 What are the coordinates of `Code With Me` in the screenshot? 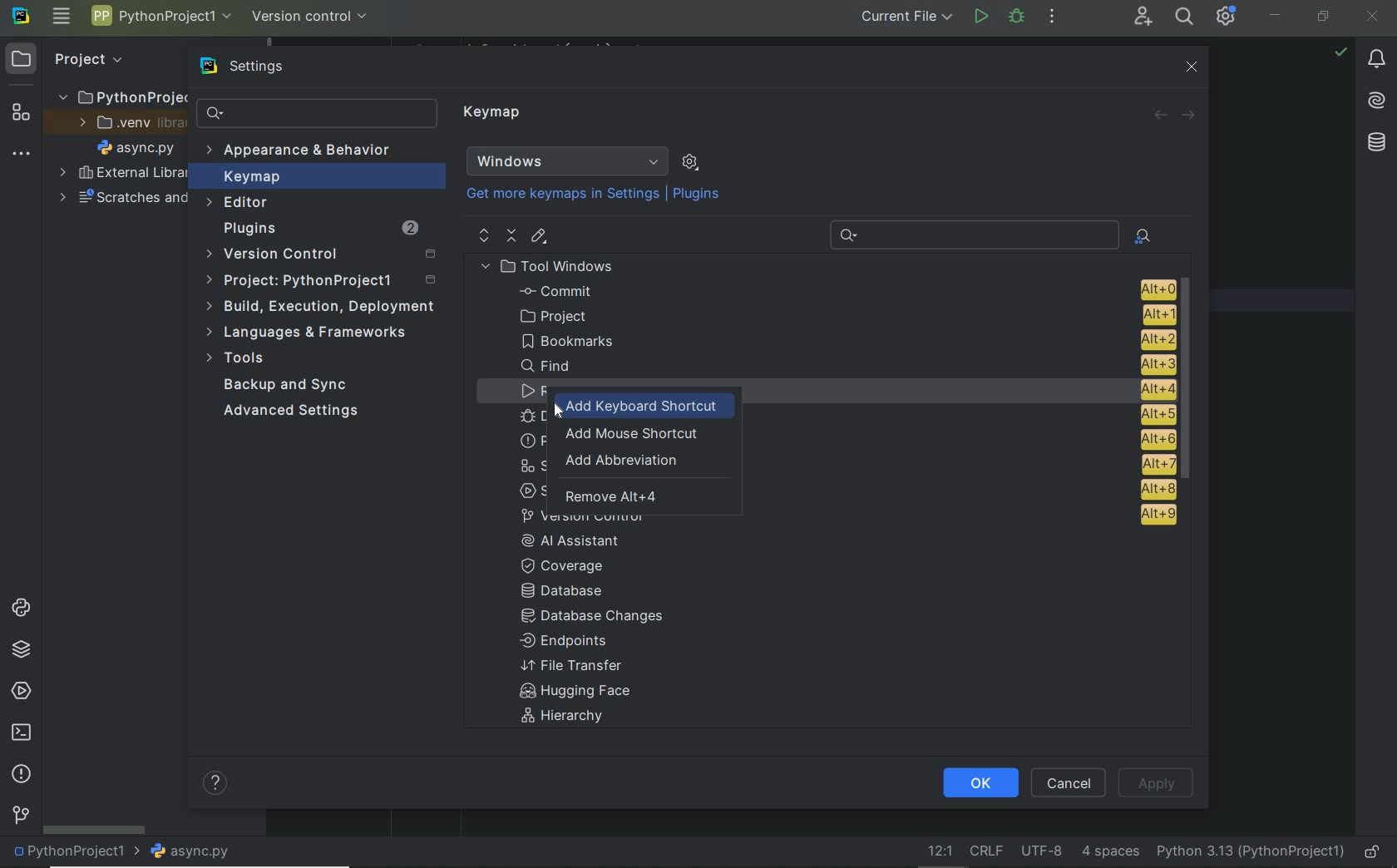 It's located at (1143, 17).